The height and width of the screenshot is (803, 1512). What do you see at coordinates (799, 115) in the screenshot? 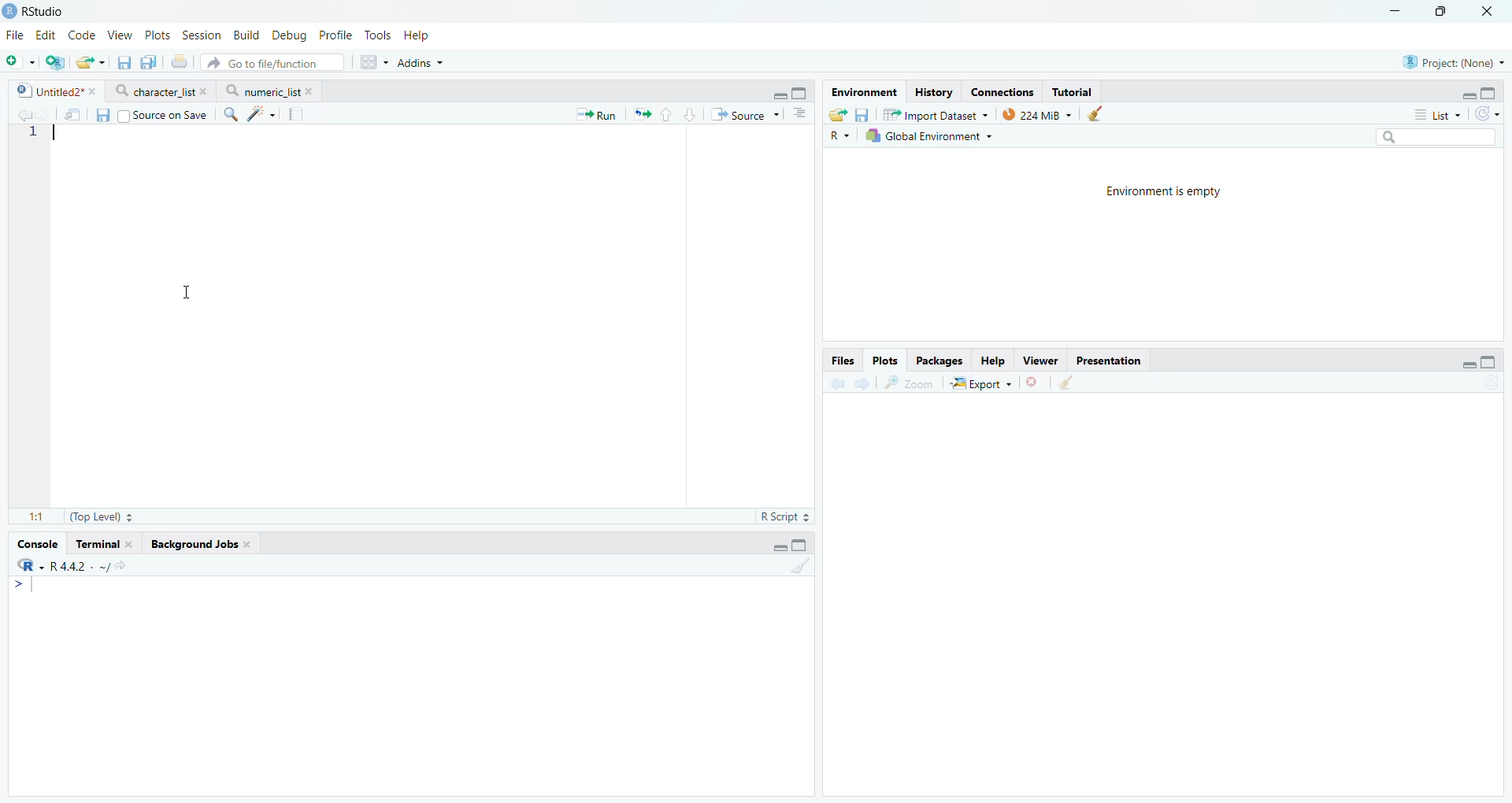
I see `Show document outline` at bounding box center [799, 115].